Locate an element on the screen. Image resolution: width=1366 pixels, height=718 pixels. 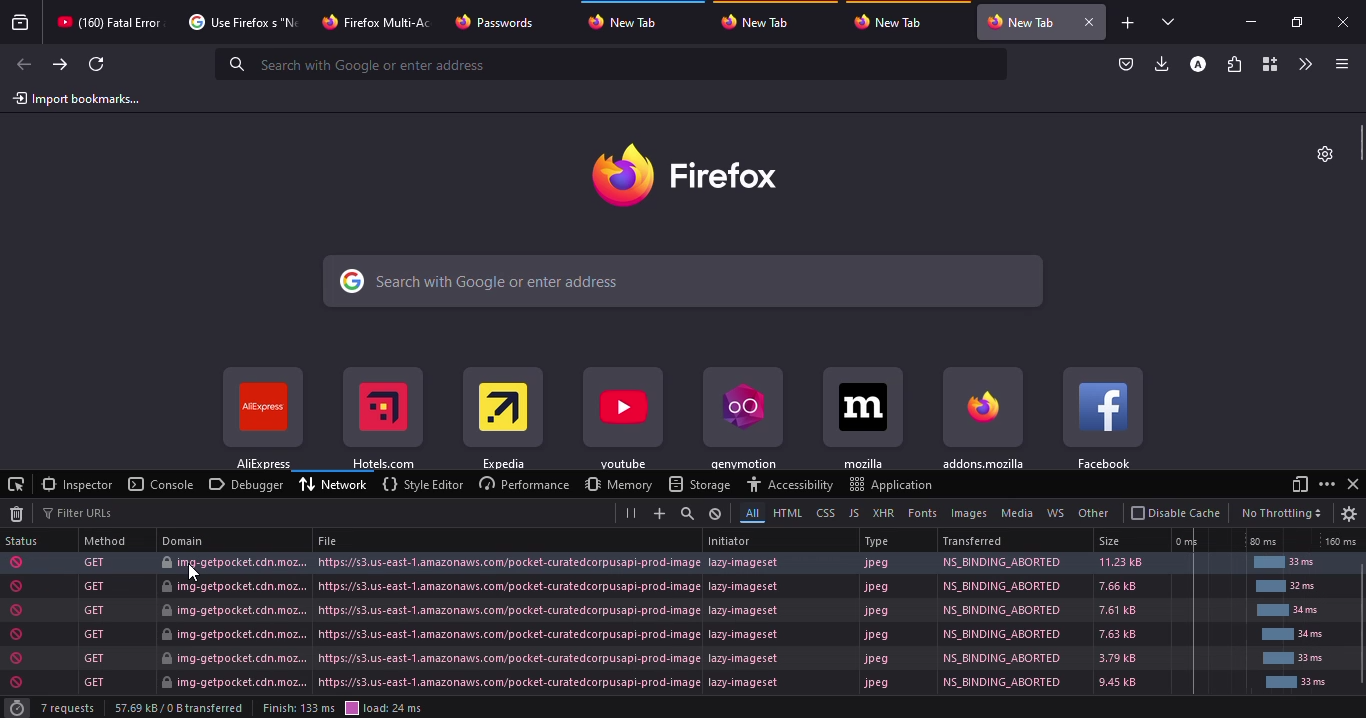
performance is located at coordinates (521, 483).